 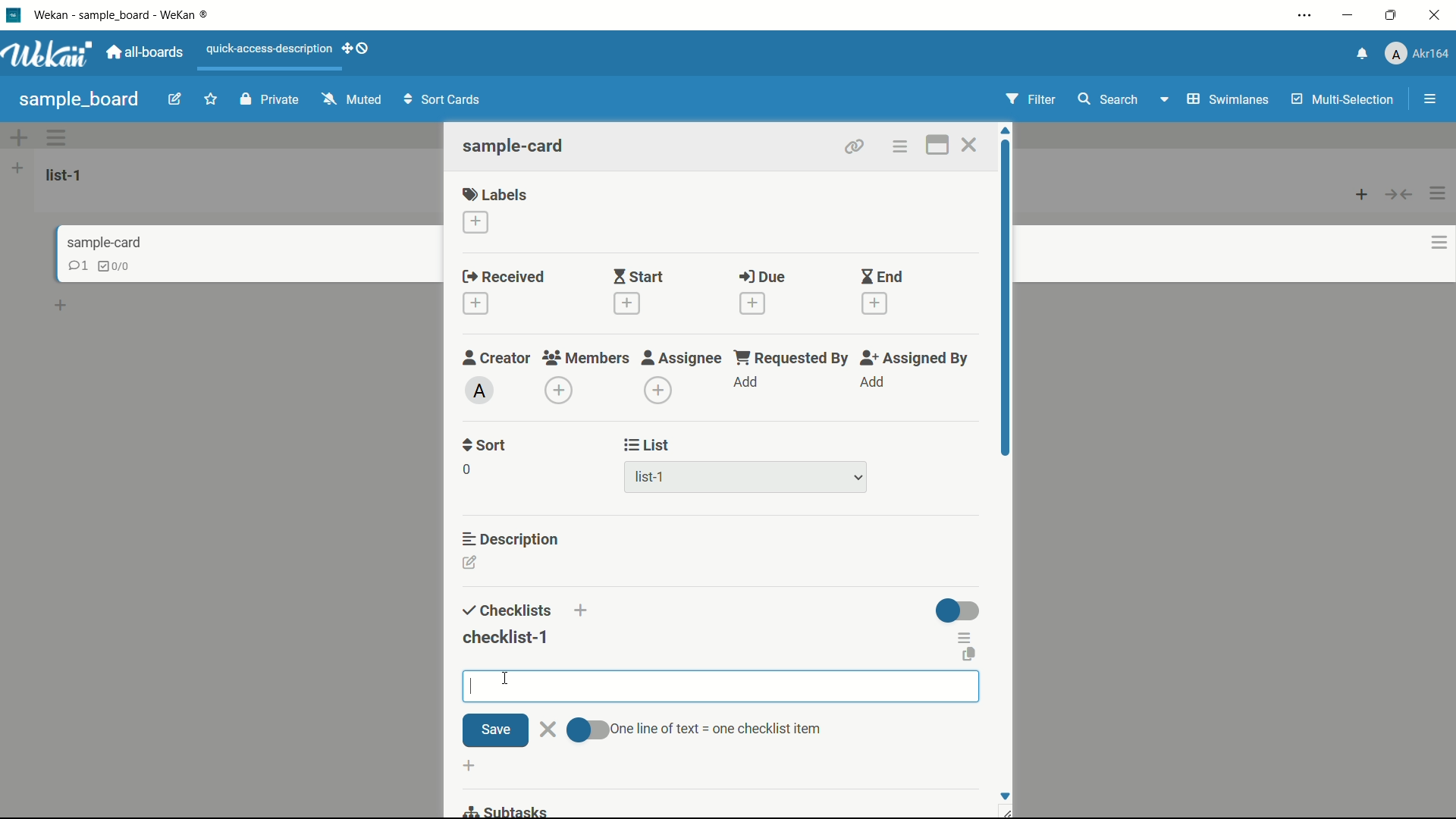 I want to click on maximize card, so click(x=937, y=145).